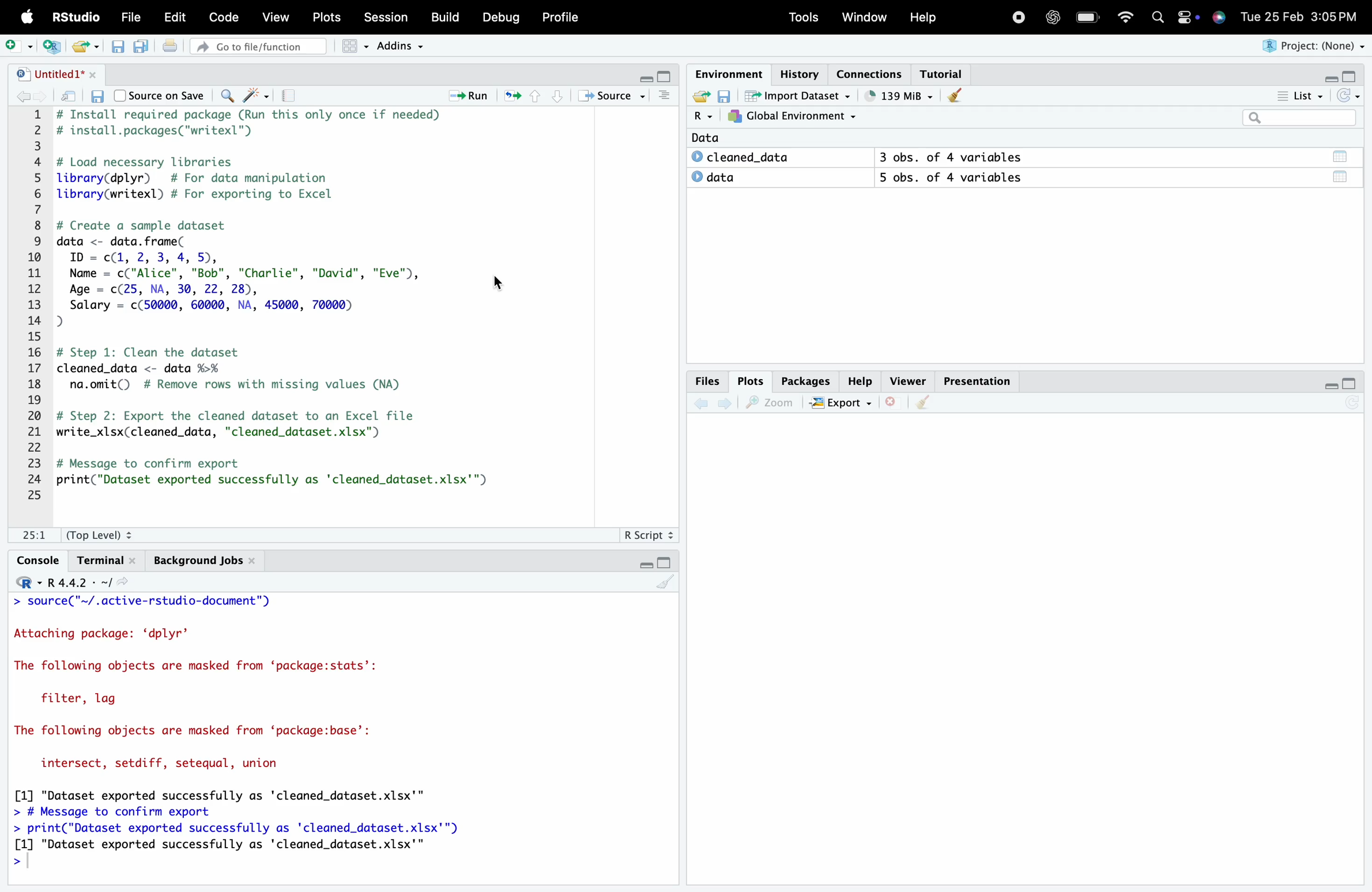  Describe the element at coordinates (927, 403) in the screenshot. I see `Clear console (Ctrl + L)` at that location.